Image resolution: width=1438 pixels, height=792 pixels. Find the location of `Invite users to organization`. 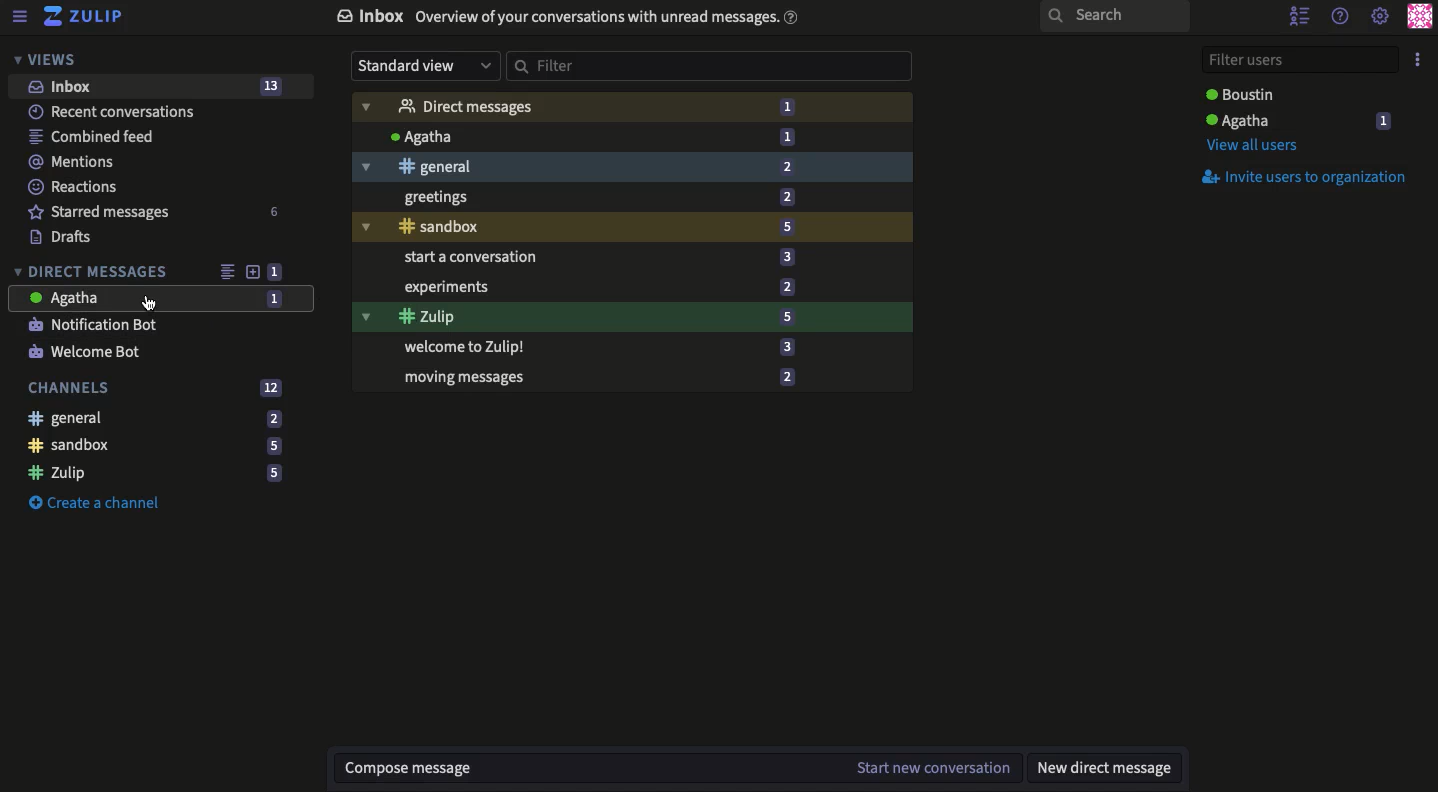

Invite users to organization is located at coordinates (1306, 177).